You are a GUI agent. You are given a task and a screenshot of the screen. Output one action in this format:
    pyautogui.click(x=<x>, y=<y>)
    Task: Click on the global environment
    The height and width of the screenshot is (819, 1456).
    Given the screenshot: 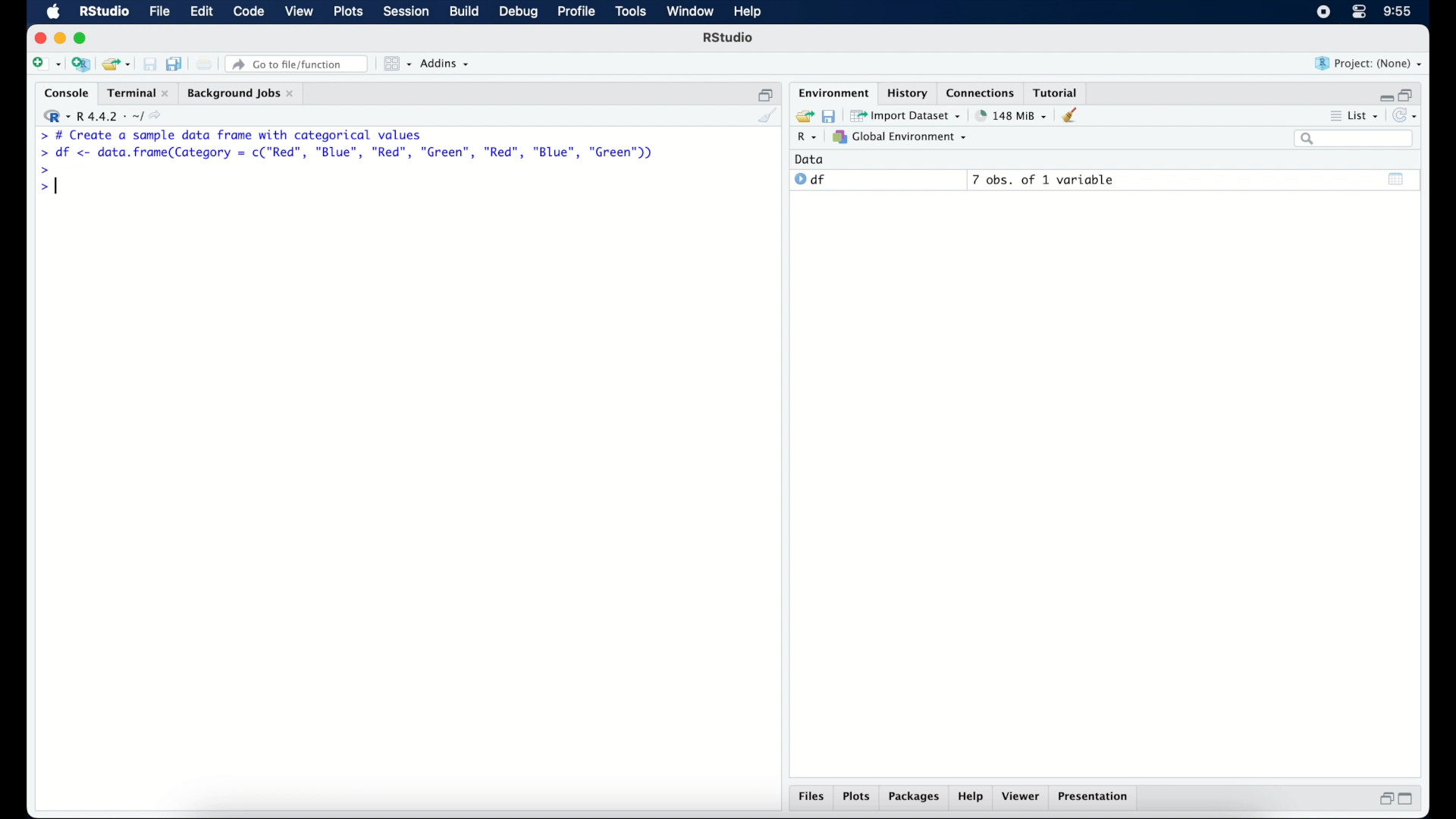 What is the action you would take?
    pyautogui.click(x=905, y=137)
    